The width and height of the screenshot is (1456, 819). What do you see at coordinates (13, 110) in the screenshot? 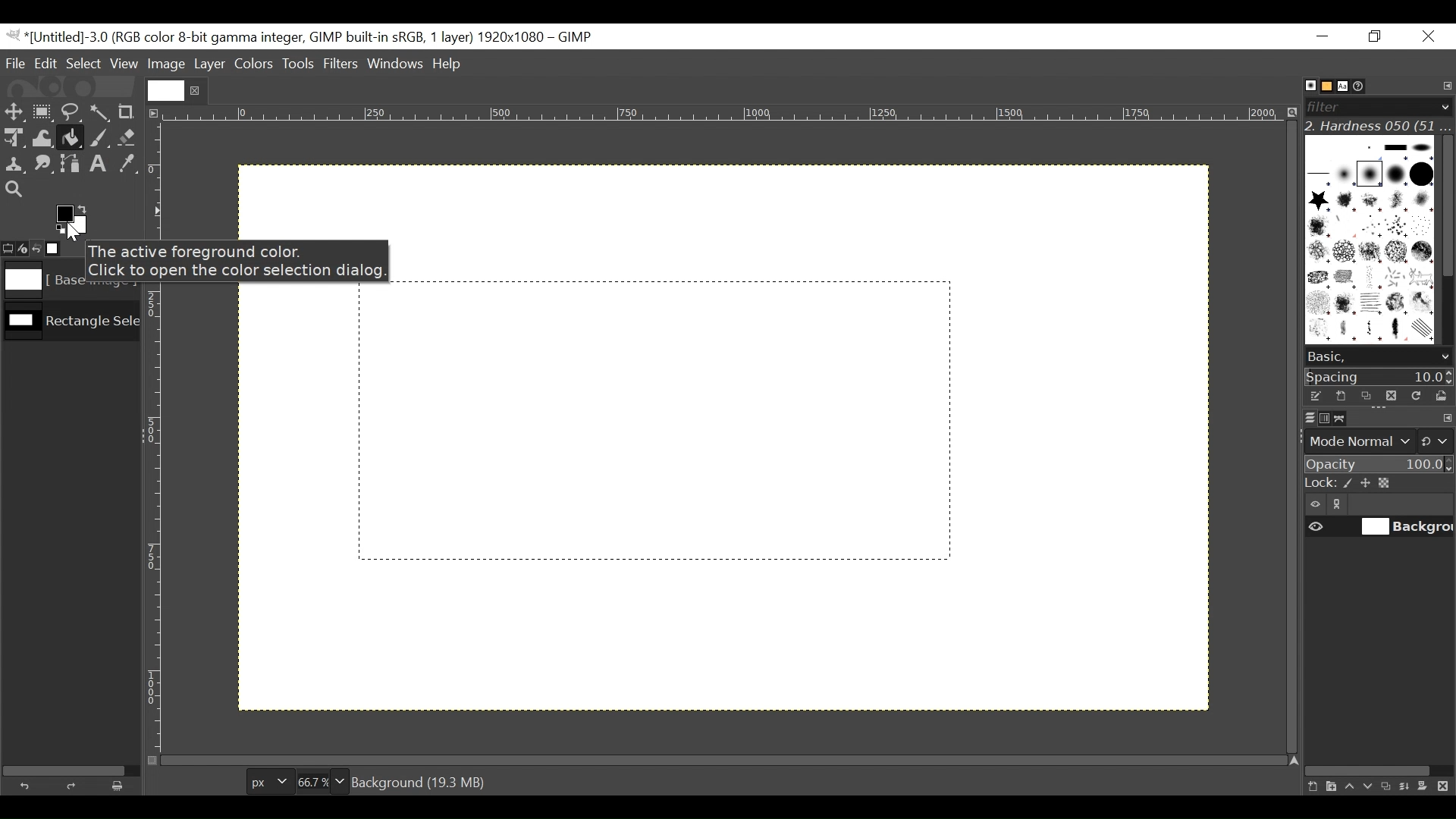
I see `Move tool` at bounding box center [13, 110].